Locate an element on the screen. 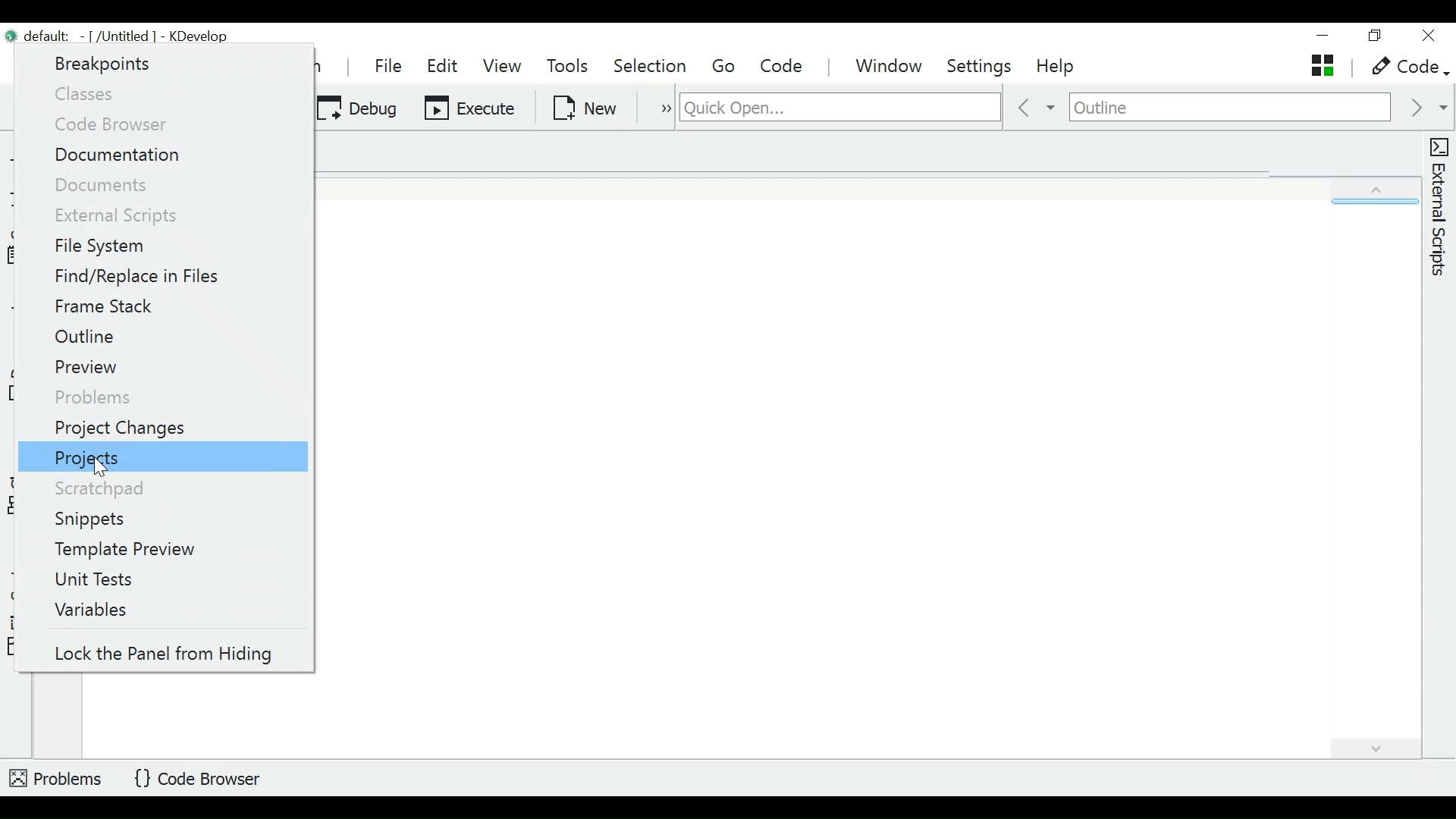 This screenshot has width=1456, height=819. Settings is located at coordinates (981, 68).